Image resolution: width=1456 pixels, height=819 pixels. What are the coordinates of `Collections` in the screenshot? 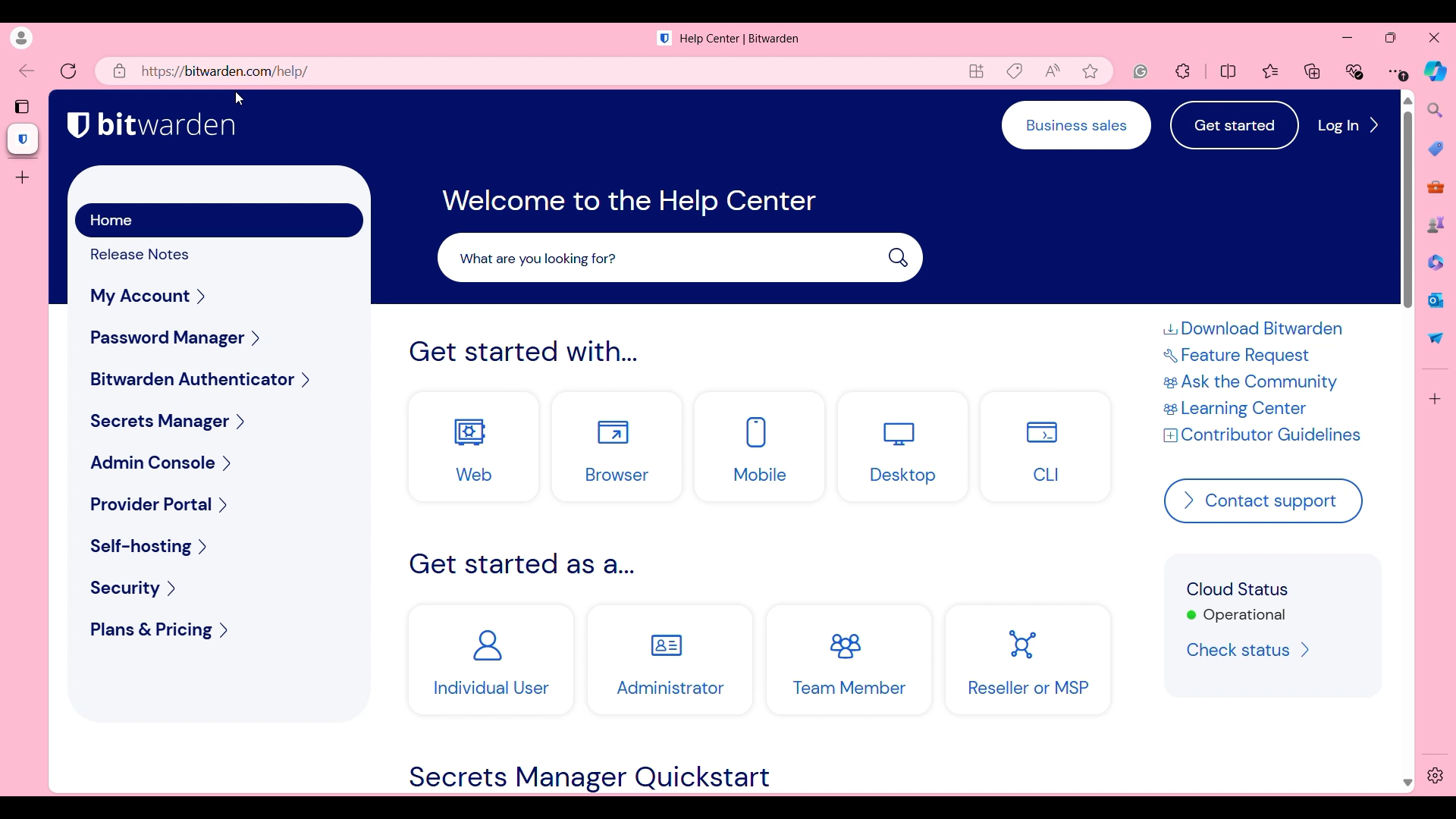 It's located at (1312, 71).